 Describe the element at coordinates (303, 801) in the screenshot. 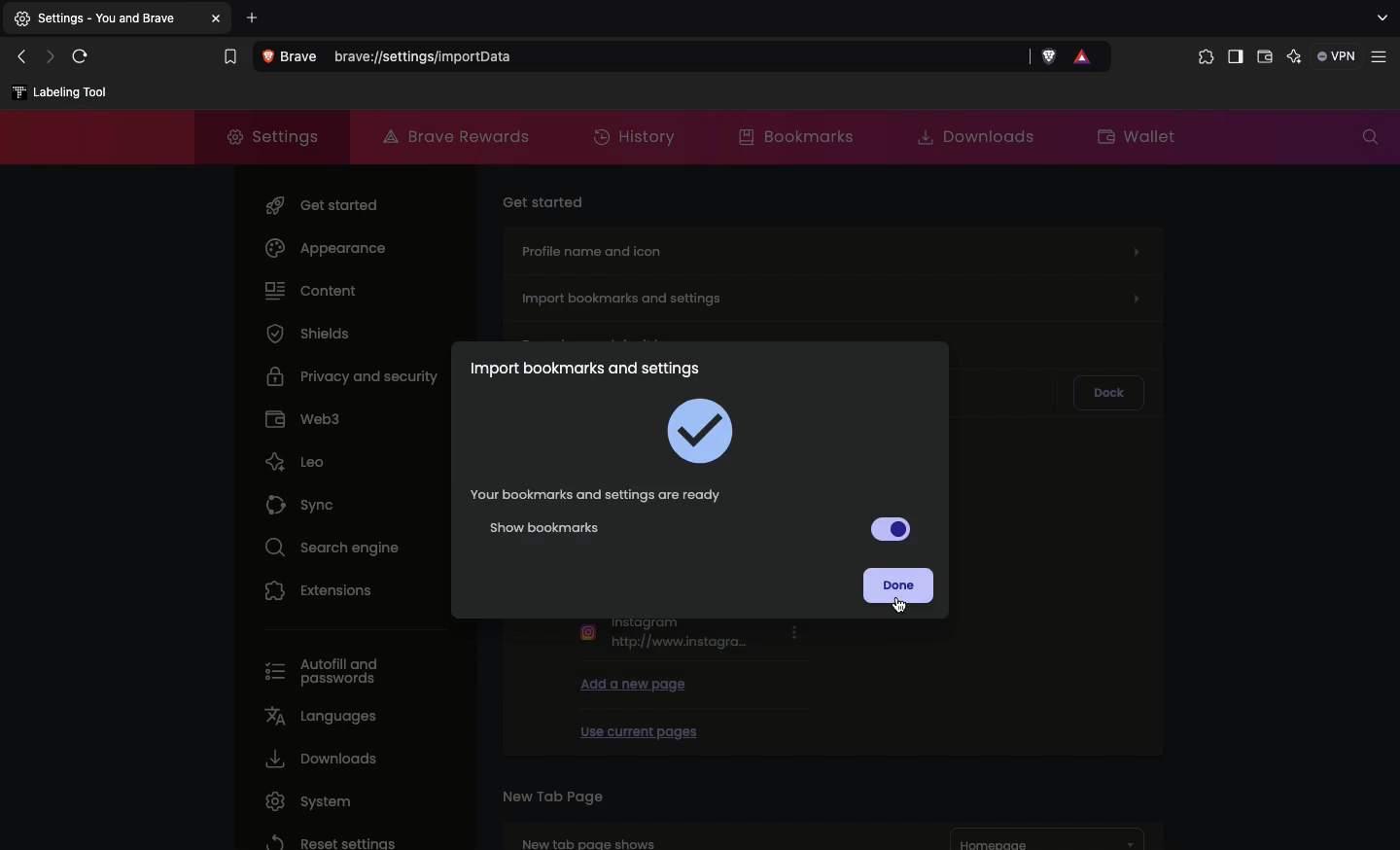

I see `System` at that location.